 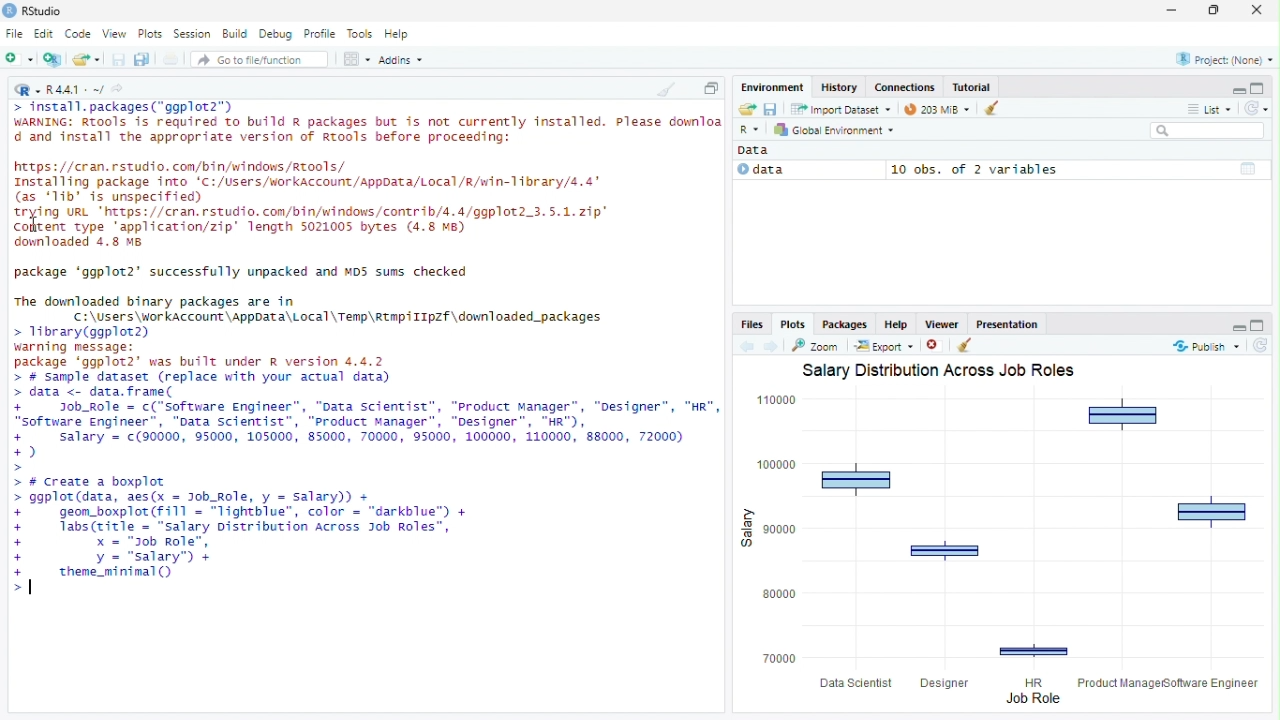 What do you see at coordinates (746, 110) in the screenshot?
I see `load workspace` at bounding box center [746, 110].